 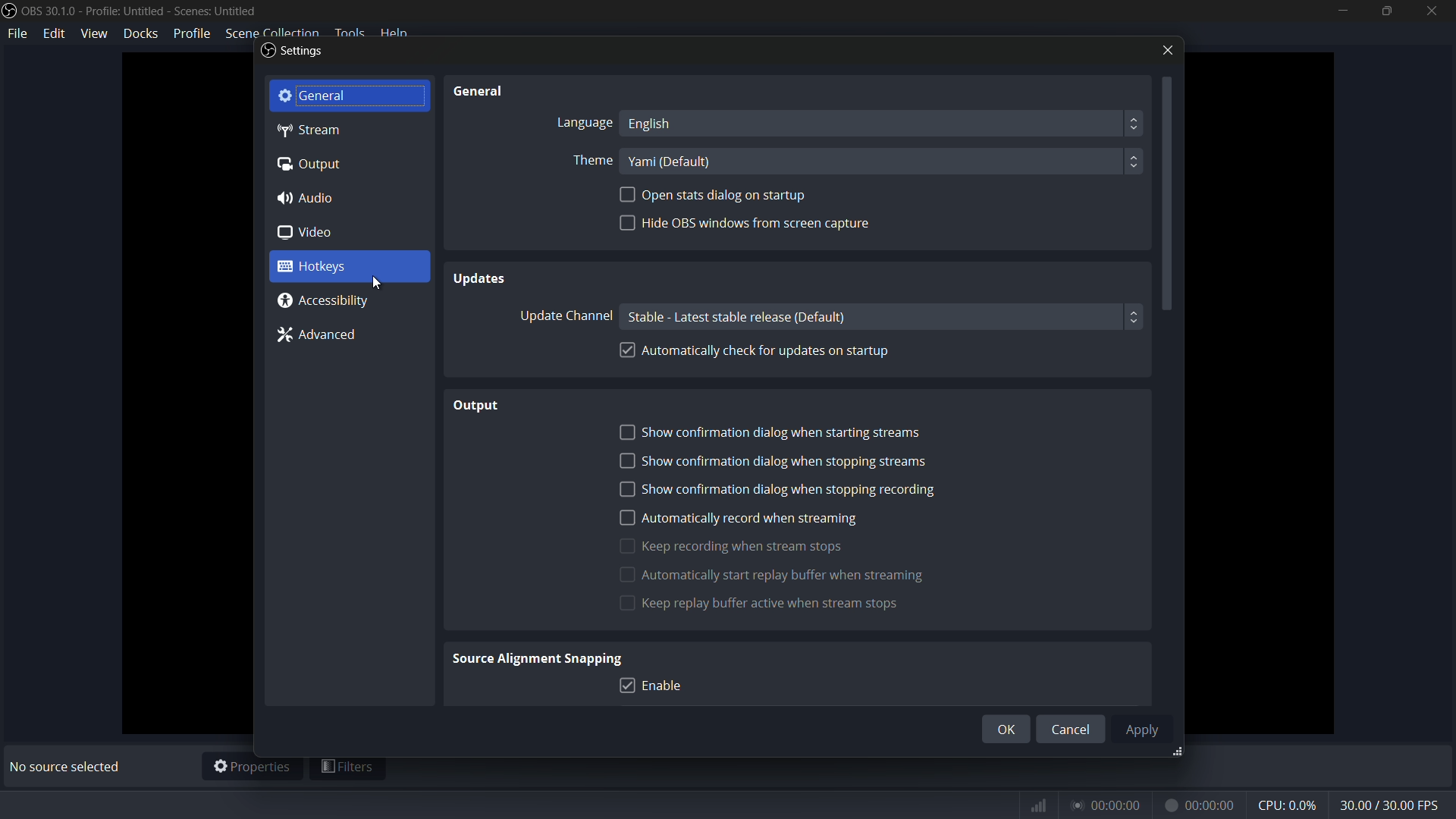 I want to click on cursor, so click(x=376, y=283).